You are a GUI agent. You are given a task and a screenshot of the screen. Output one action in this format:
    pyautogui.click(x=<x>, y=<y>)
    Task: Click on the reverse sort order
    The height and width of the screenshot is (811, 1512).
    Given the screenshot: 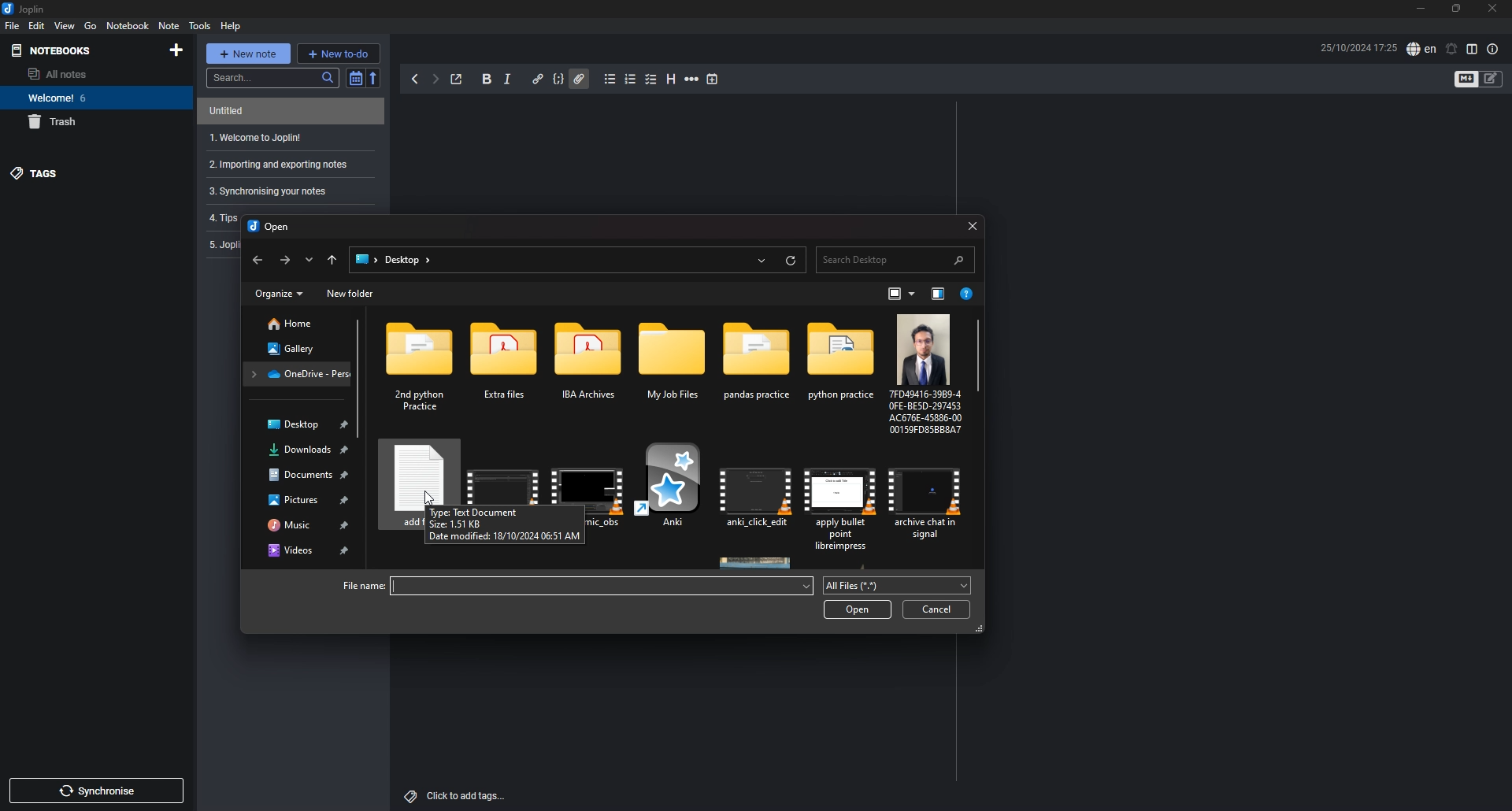 What is the action you would take?
    pyautogui.click(x=375, y=80)
    